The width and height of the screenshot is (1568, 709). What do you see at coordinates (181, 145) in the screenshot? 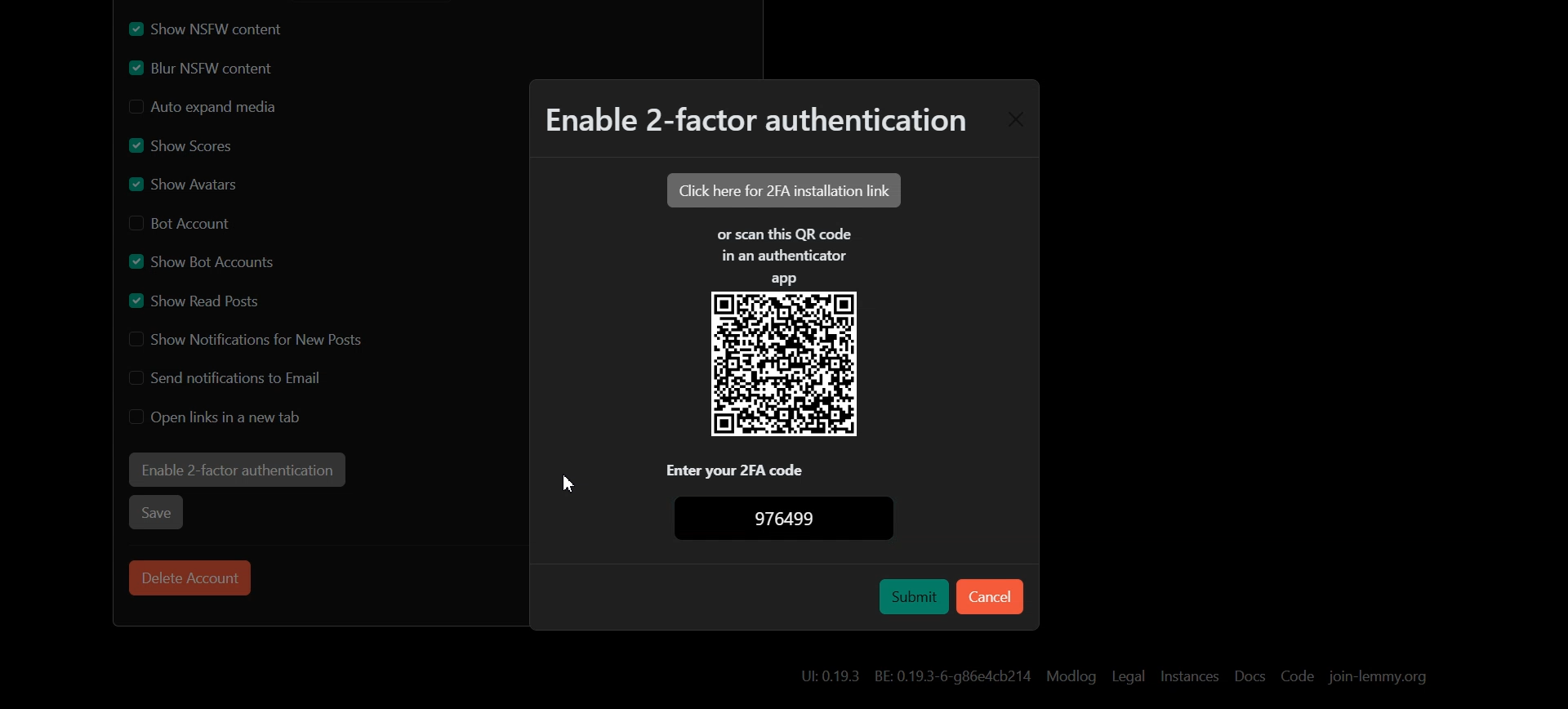
I see `Enable Show Scores` at bounding box center [181, 145].